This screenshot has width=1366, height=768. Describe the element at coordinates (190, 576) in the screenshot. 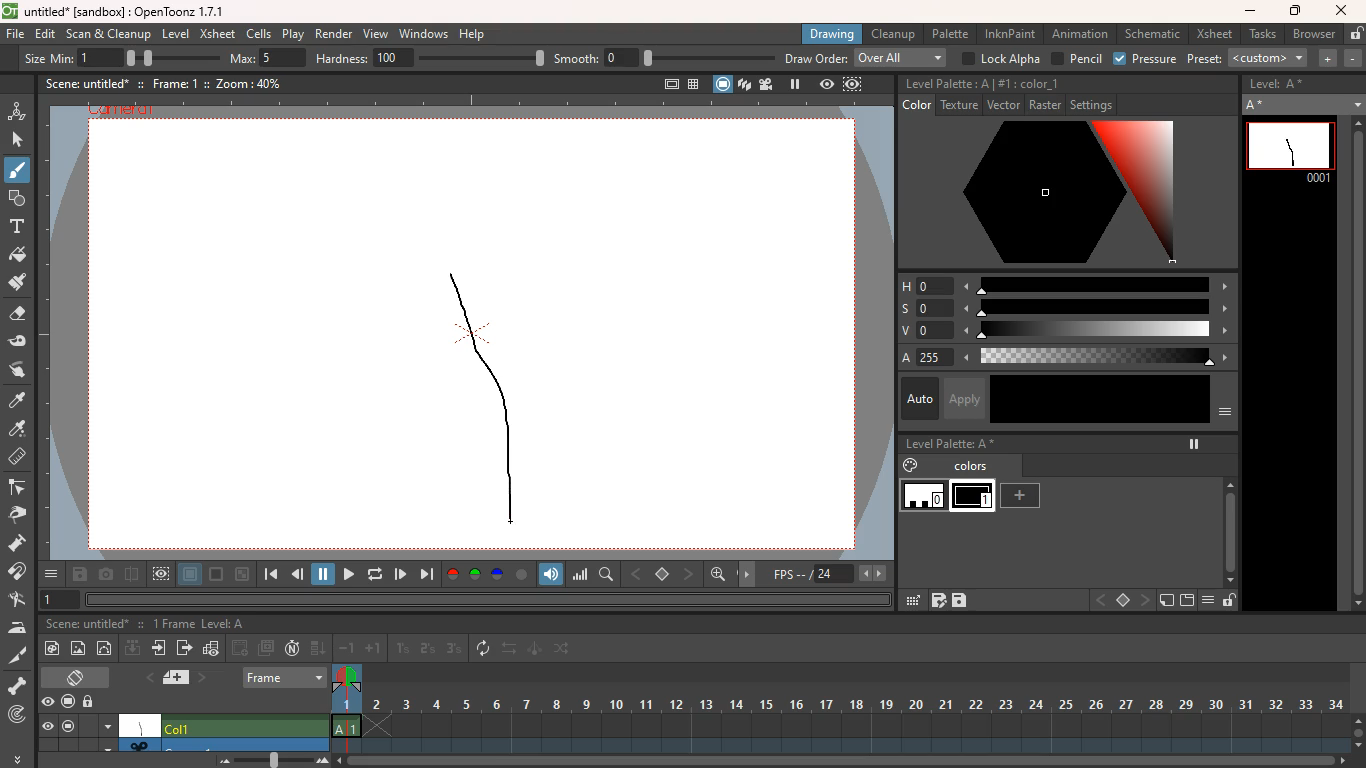

I see `layer` at that location.